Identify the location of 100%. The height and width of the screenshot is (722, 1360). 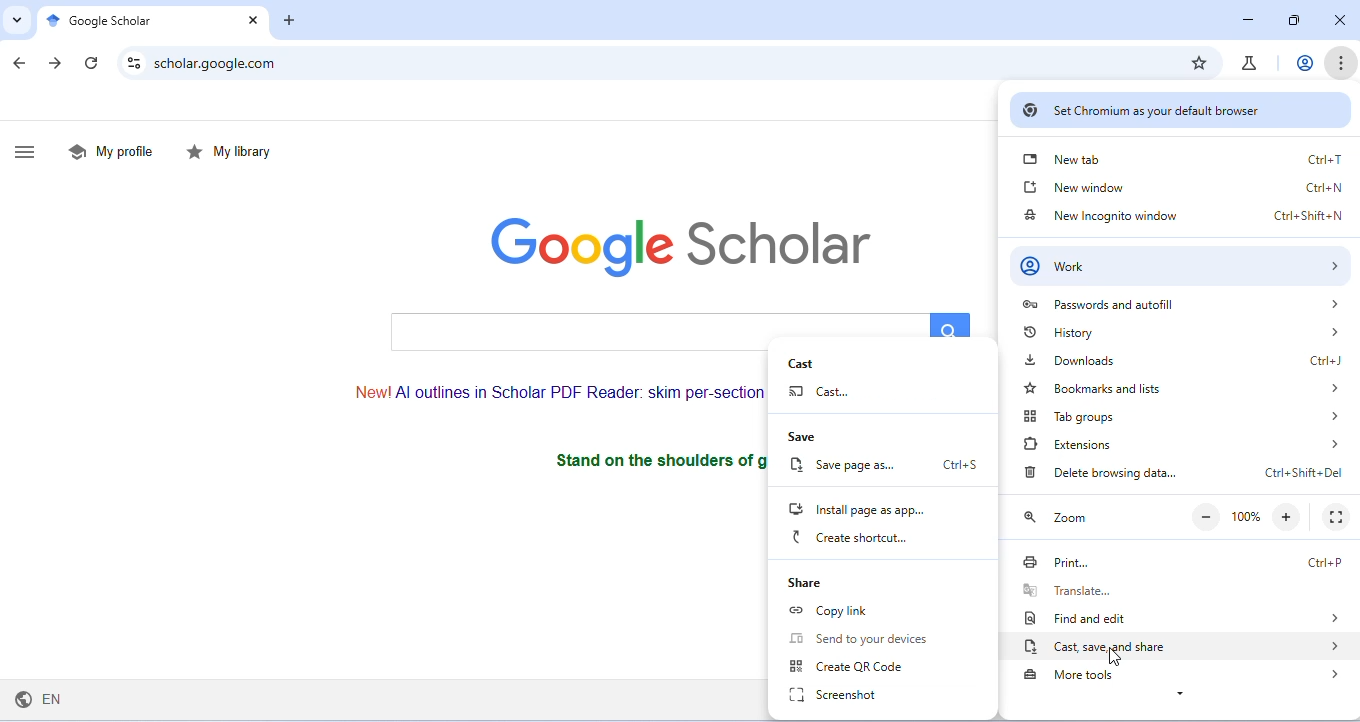
(1245, 517).